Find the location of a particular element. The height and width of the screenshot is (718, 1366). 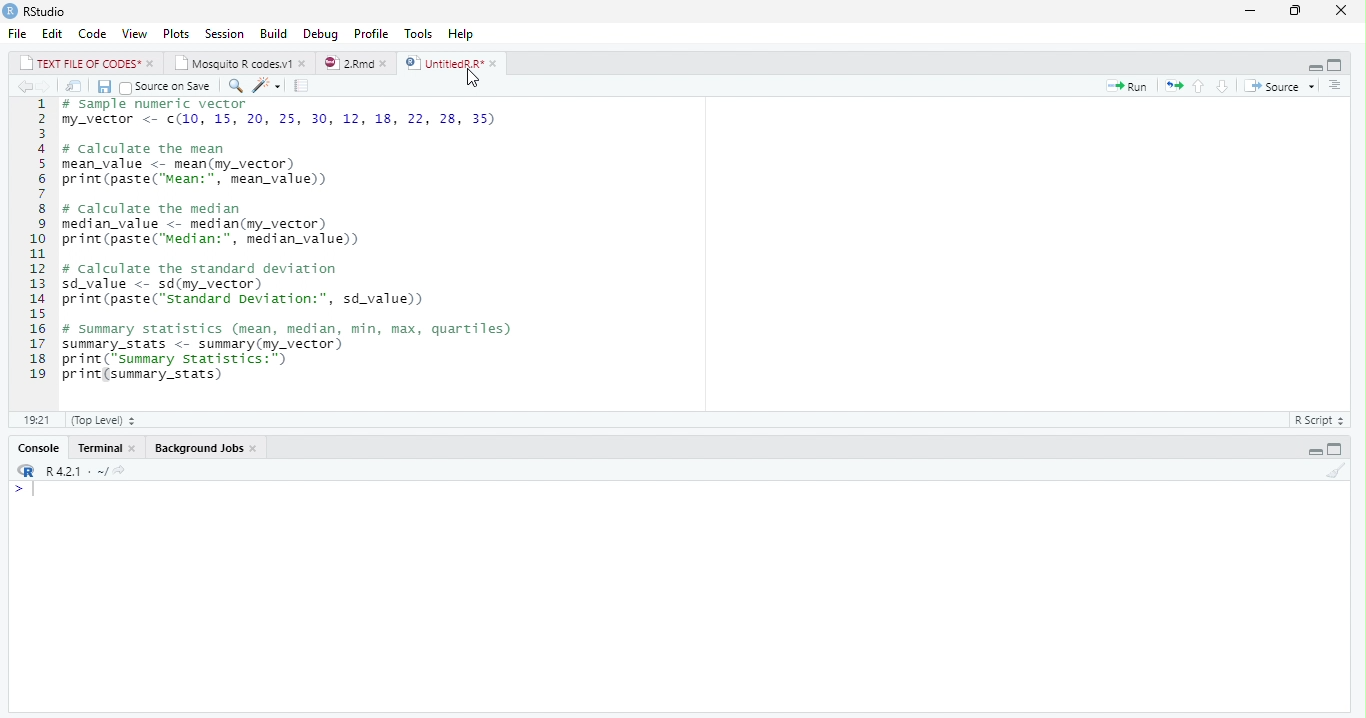

Background Jobs is located at coordinates (199, 448).